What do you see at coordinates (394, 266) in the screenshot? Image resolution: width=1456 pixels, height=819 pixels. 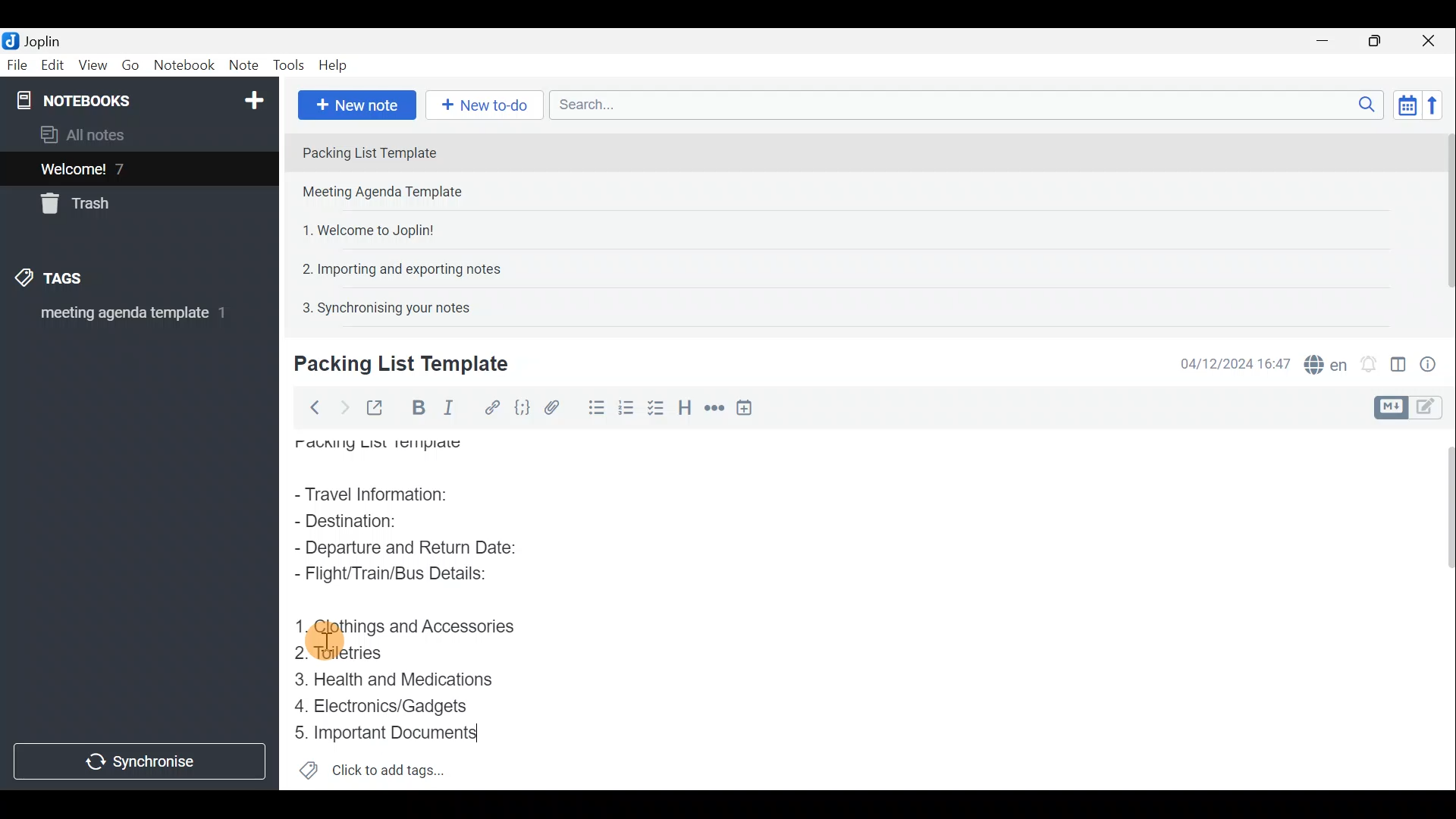 I see `Note 4` at bounding box center [394, 266].